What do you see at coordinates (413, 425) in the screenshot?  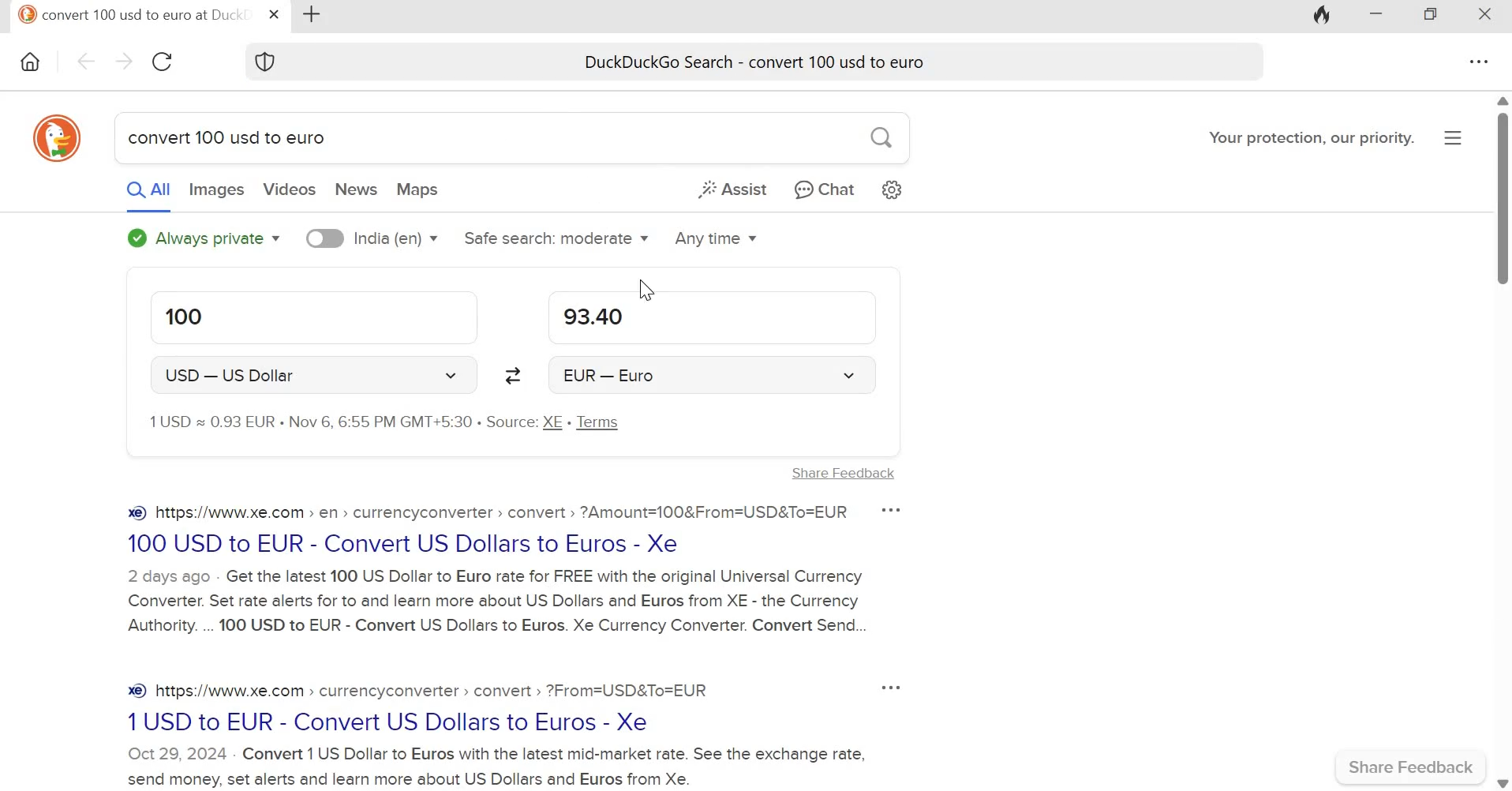 I see `1 USD ~ 0.93 EUR Nov6, 6:55 PM GMT+5:30 Source Xe Terms` at bounding box center [413, 425].